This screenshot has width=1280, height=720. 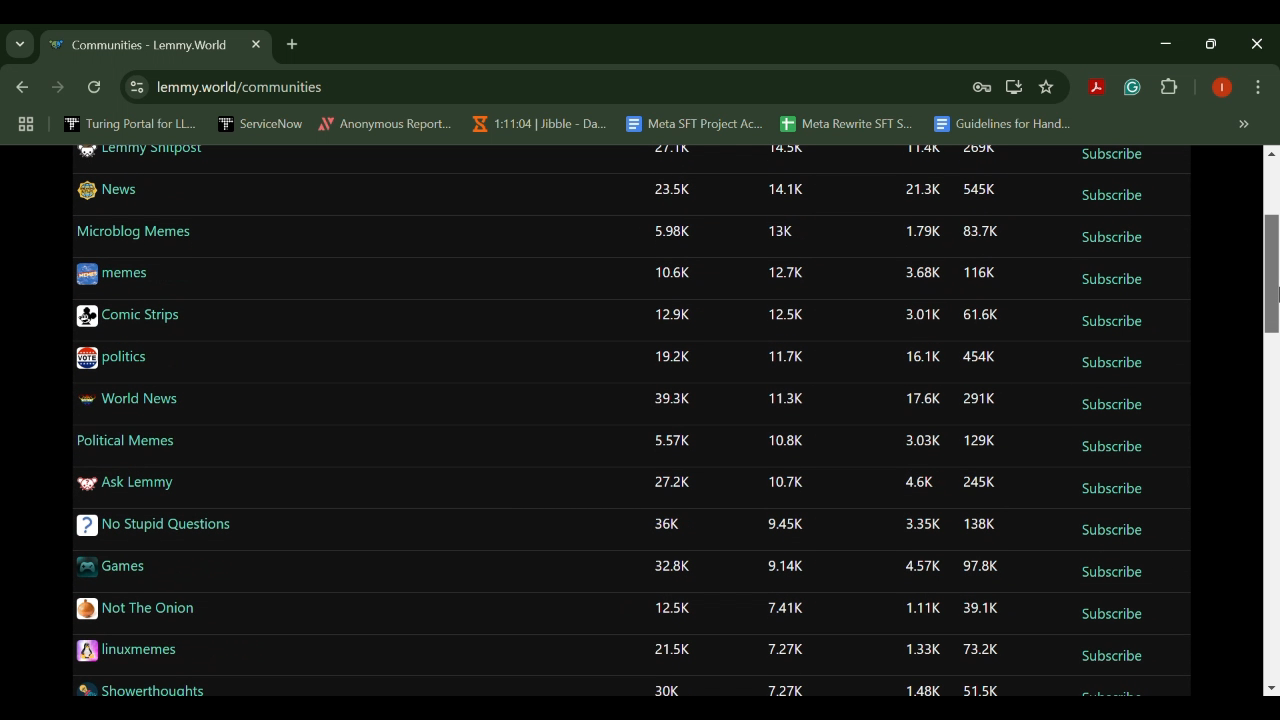 I want to click on ServiceNow, so click(x=261, y=123).